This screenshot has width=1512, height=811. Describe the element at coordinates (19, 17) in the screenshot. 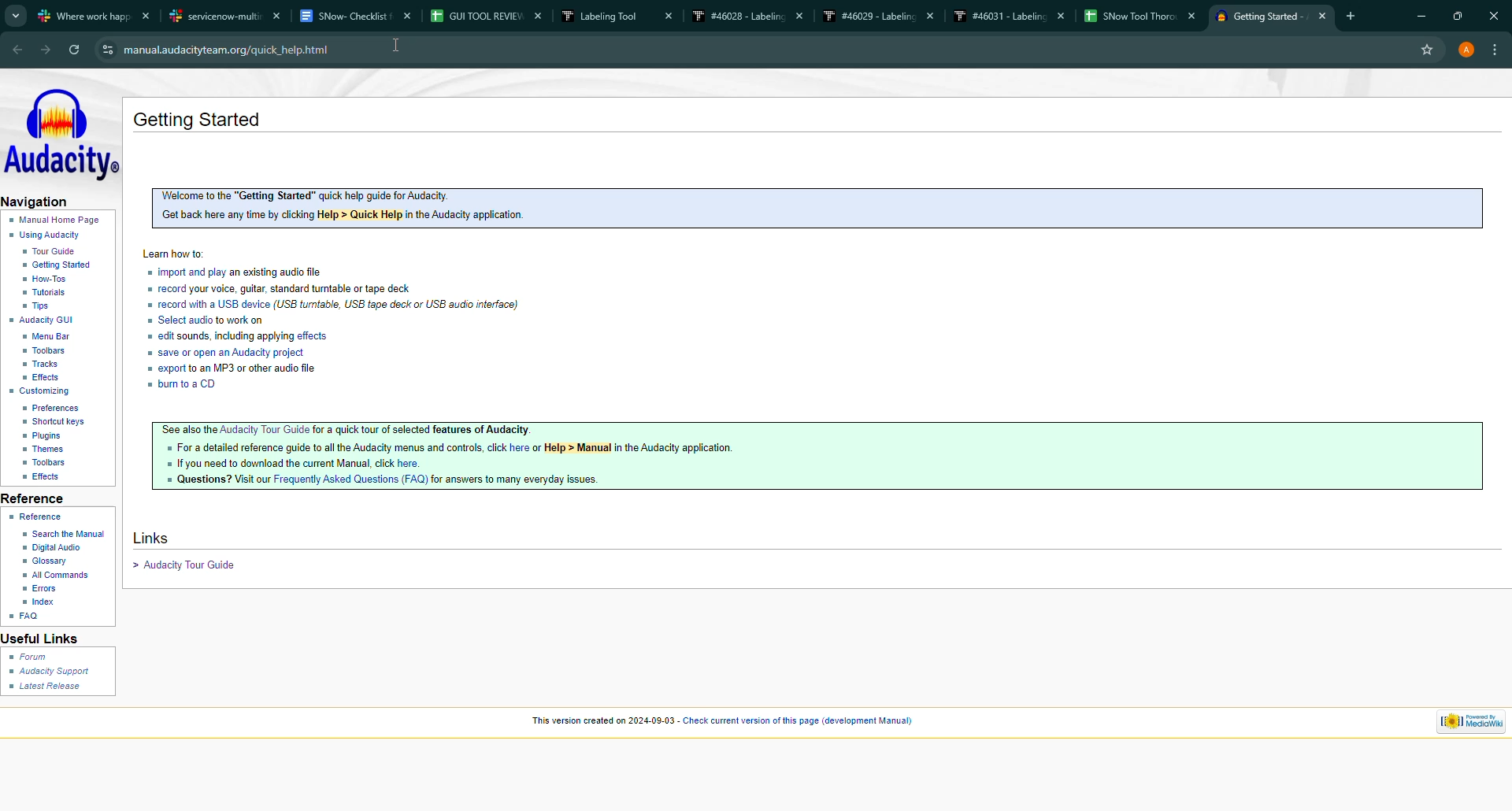

I see `tabs` at that location.